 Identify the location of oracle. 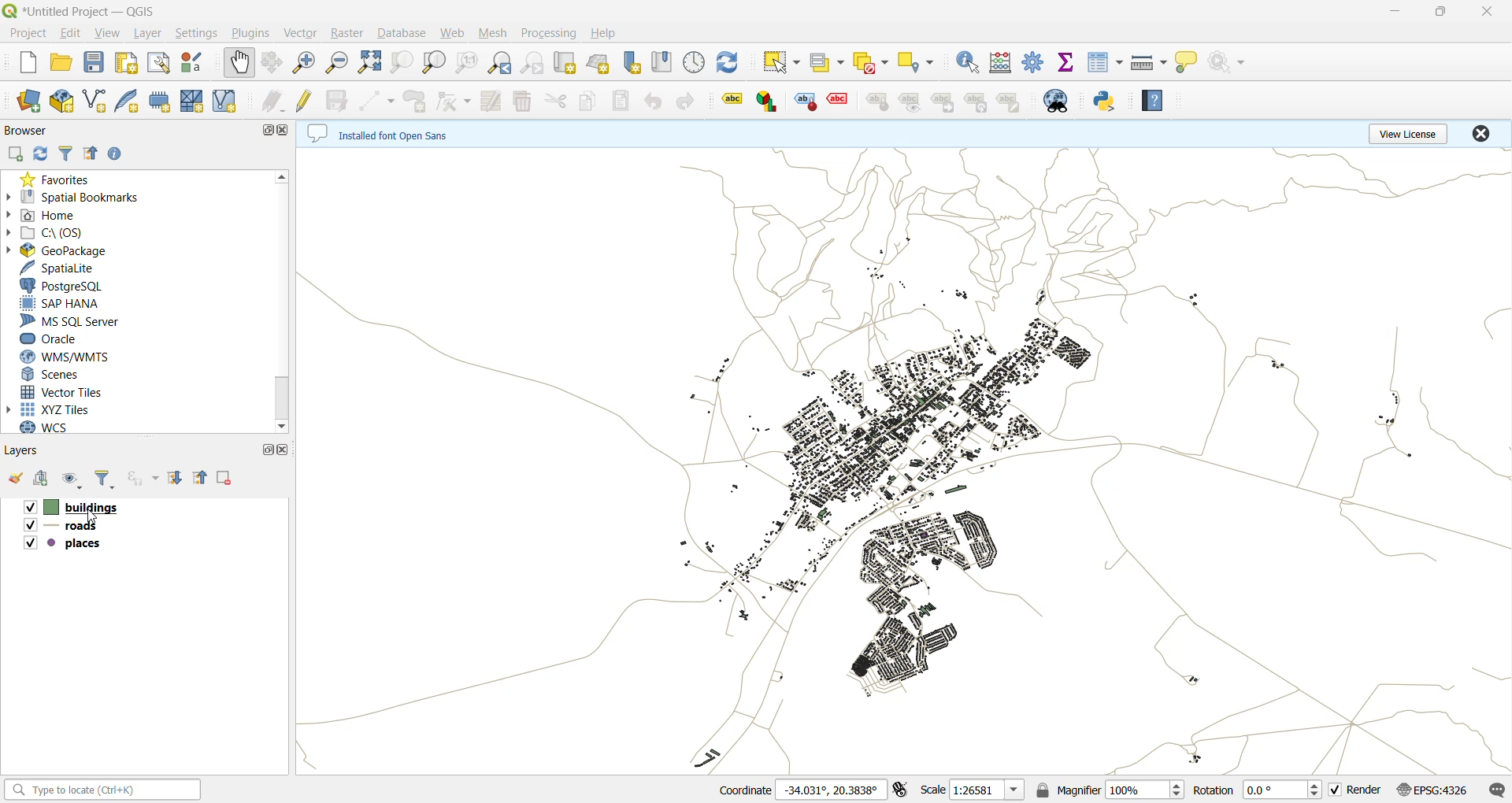
(69, 339).